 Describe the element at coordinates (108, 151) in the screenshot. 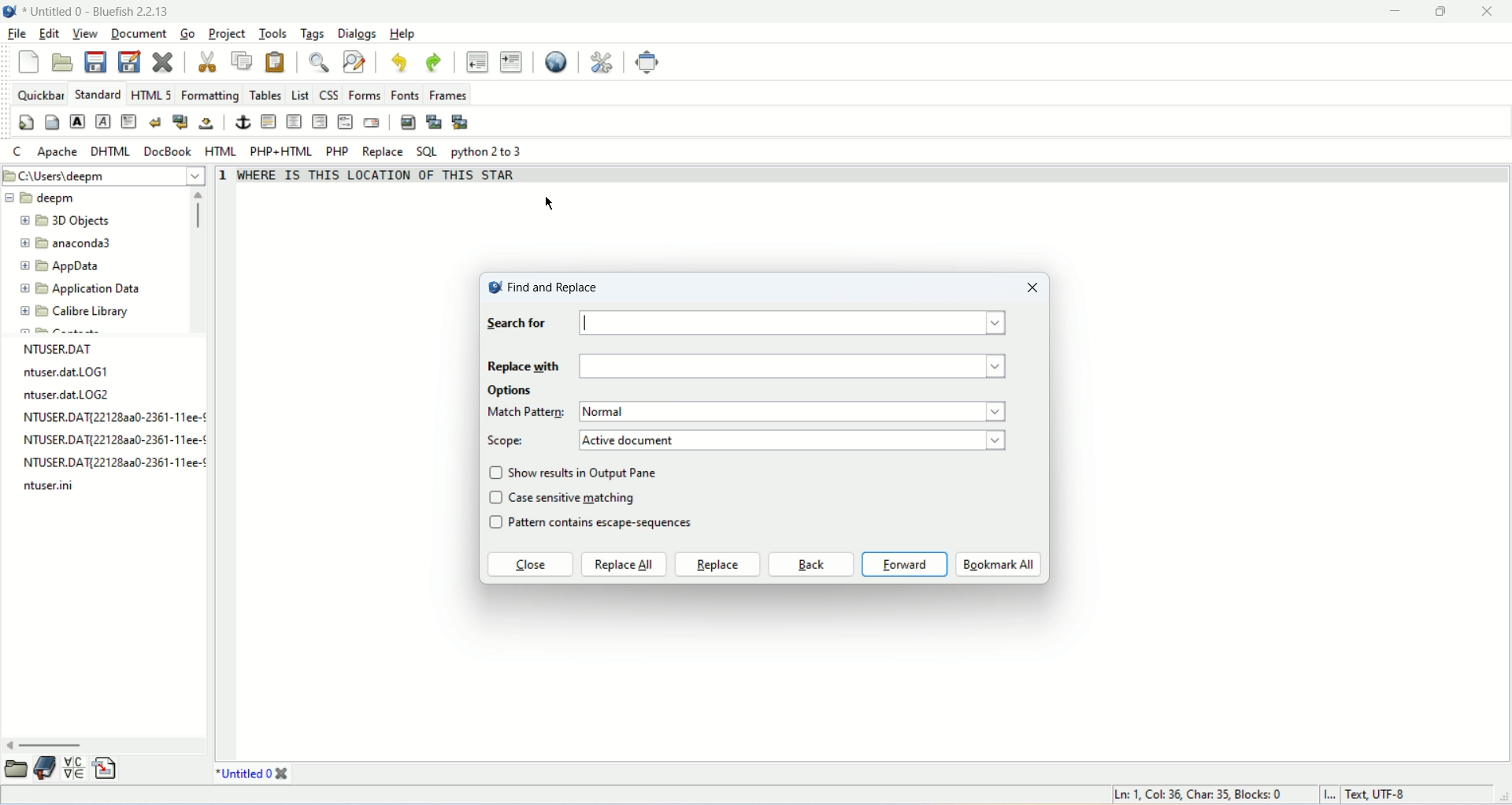

I see `DHTML` at that location.